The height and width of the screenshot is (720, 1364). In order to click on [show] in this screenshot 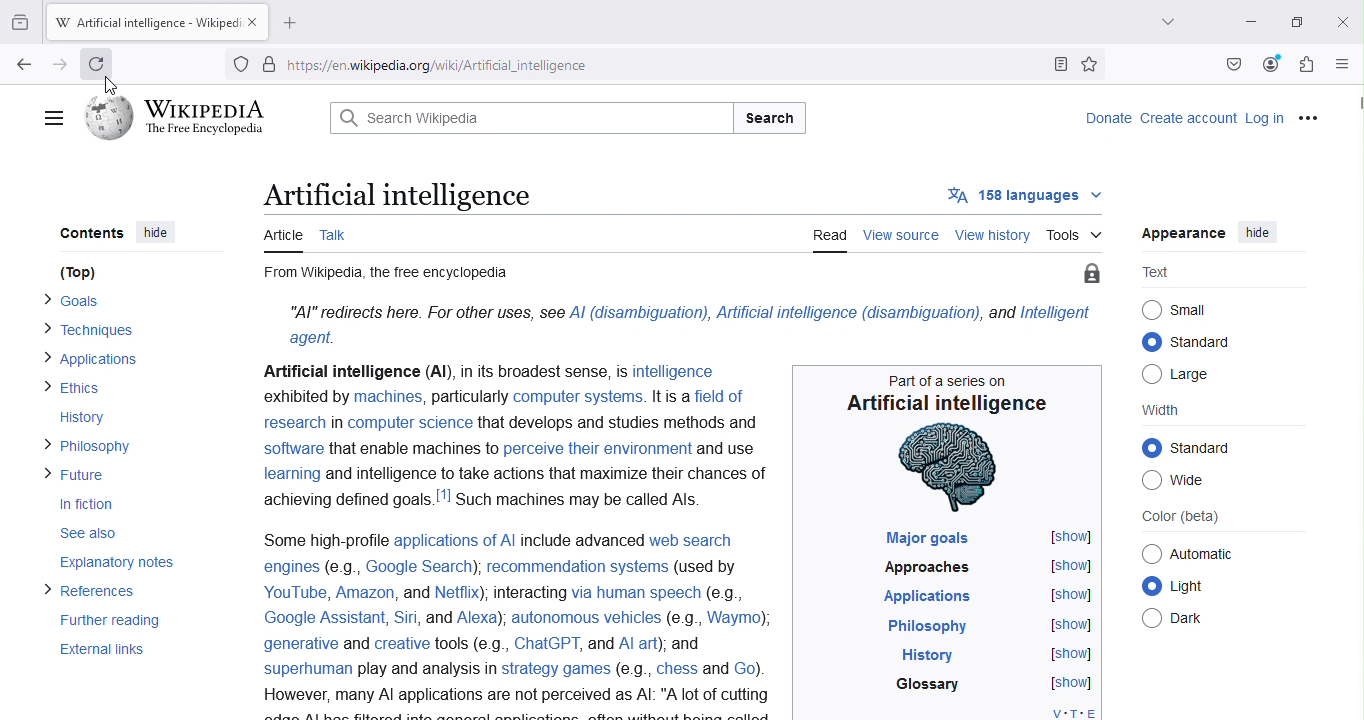, I will do `click(1069, 536)`.